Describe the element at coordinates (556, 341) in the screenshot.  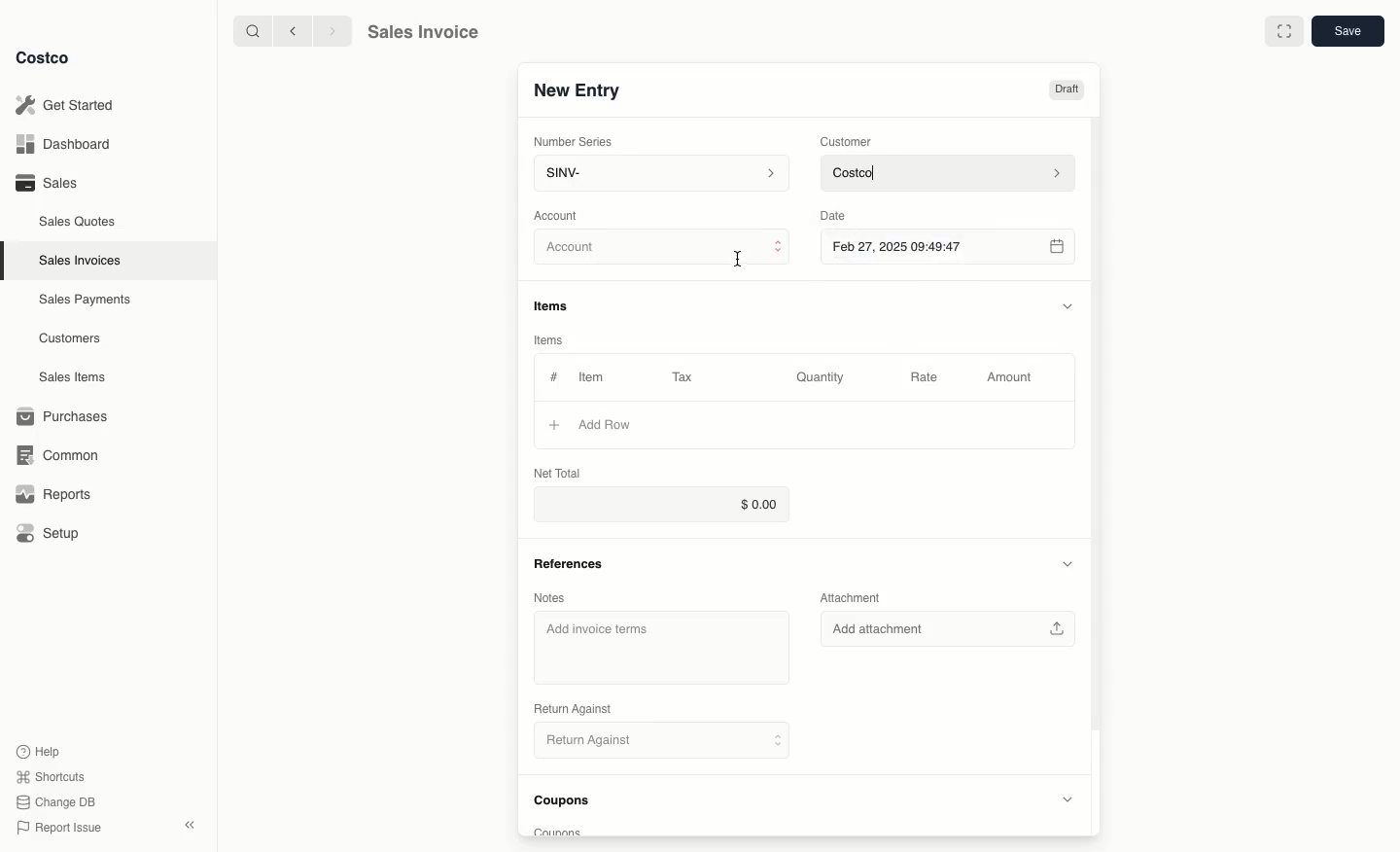
I see `Items` at that location.